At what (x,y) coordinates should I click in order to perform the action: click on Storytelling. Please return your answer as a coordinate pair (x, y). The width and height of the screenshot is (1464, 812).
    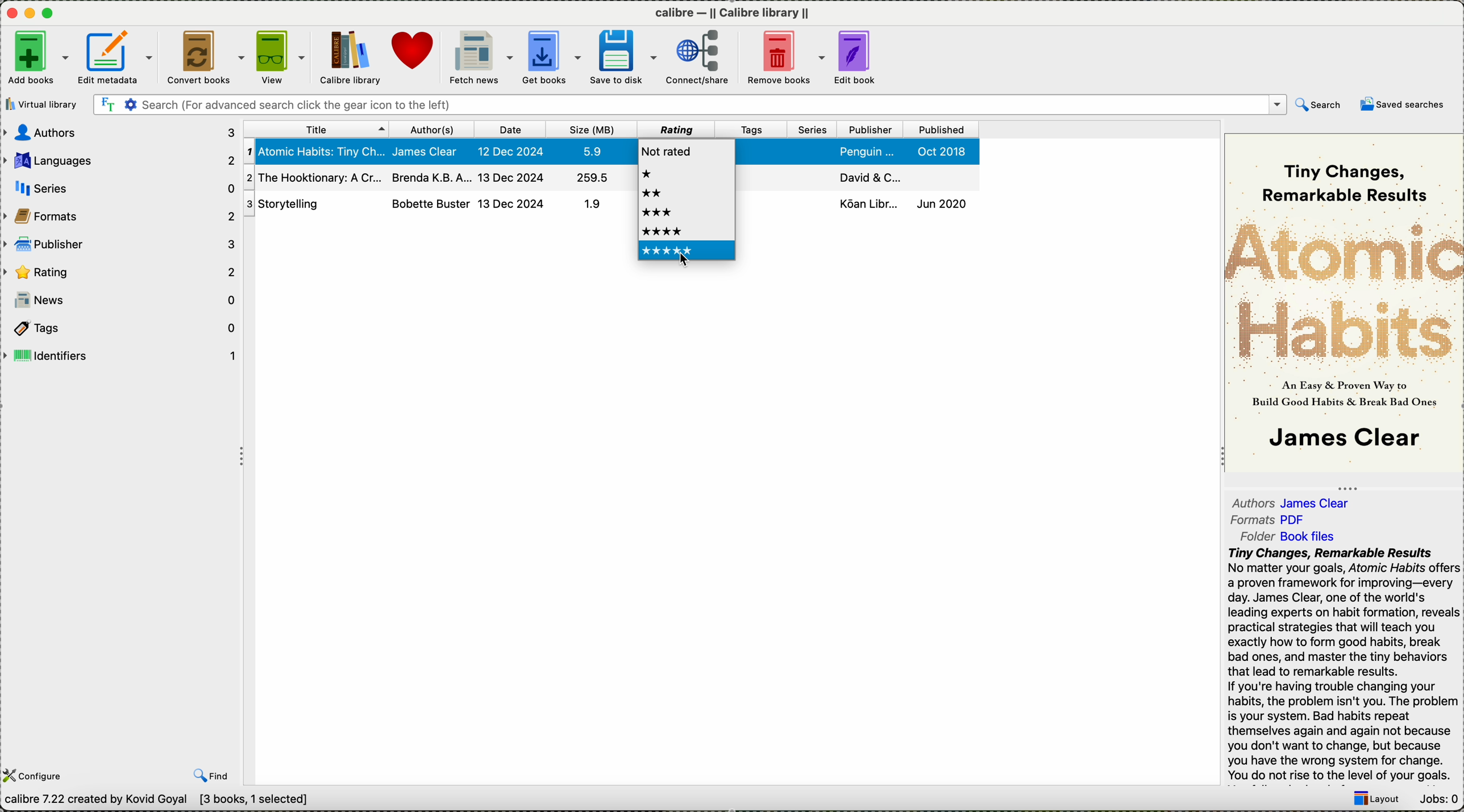
    Looking at the image, I should click on (312, 204).